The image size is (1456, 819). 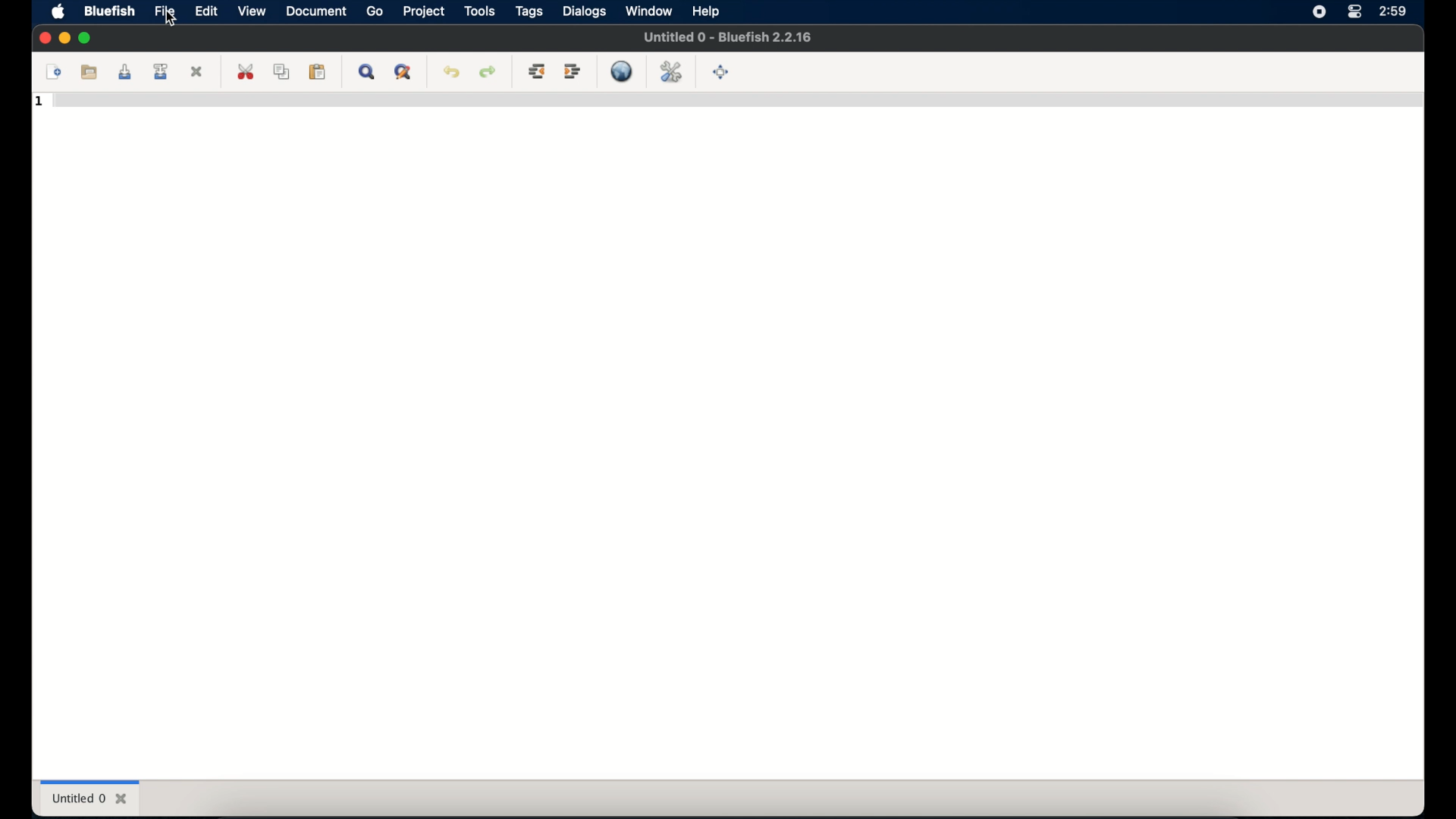 I want to click on bluefish, so click(x=110, y=11).